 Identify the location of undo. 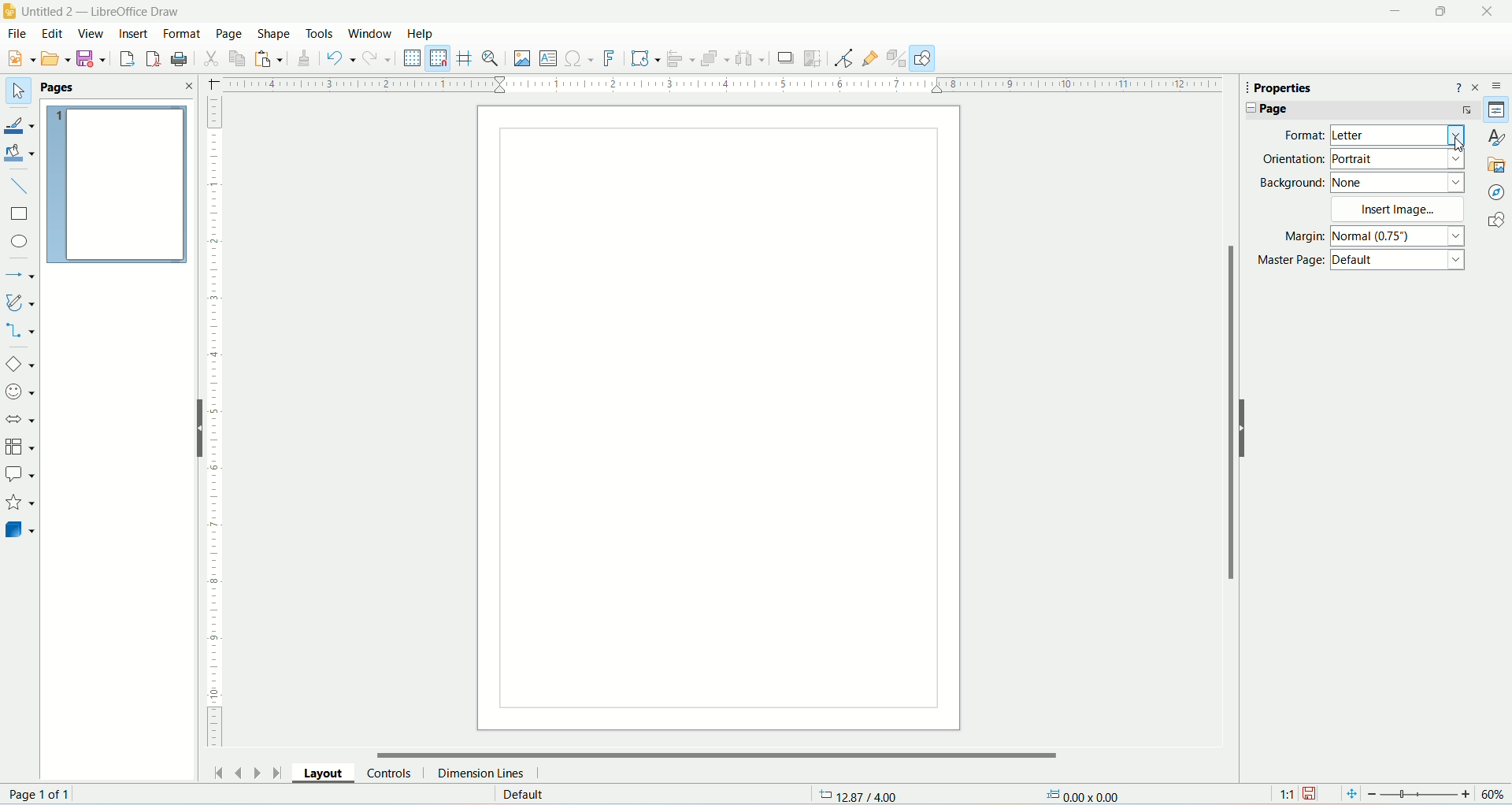
(343, 58).